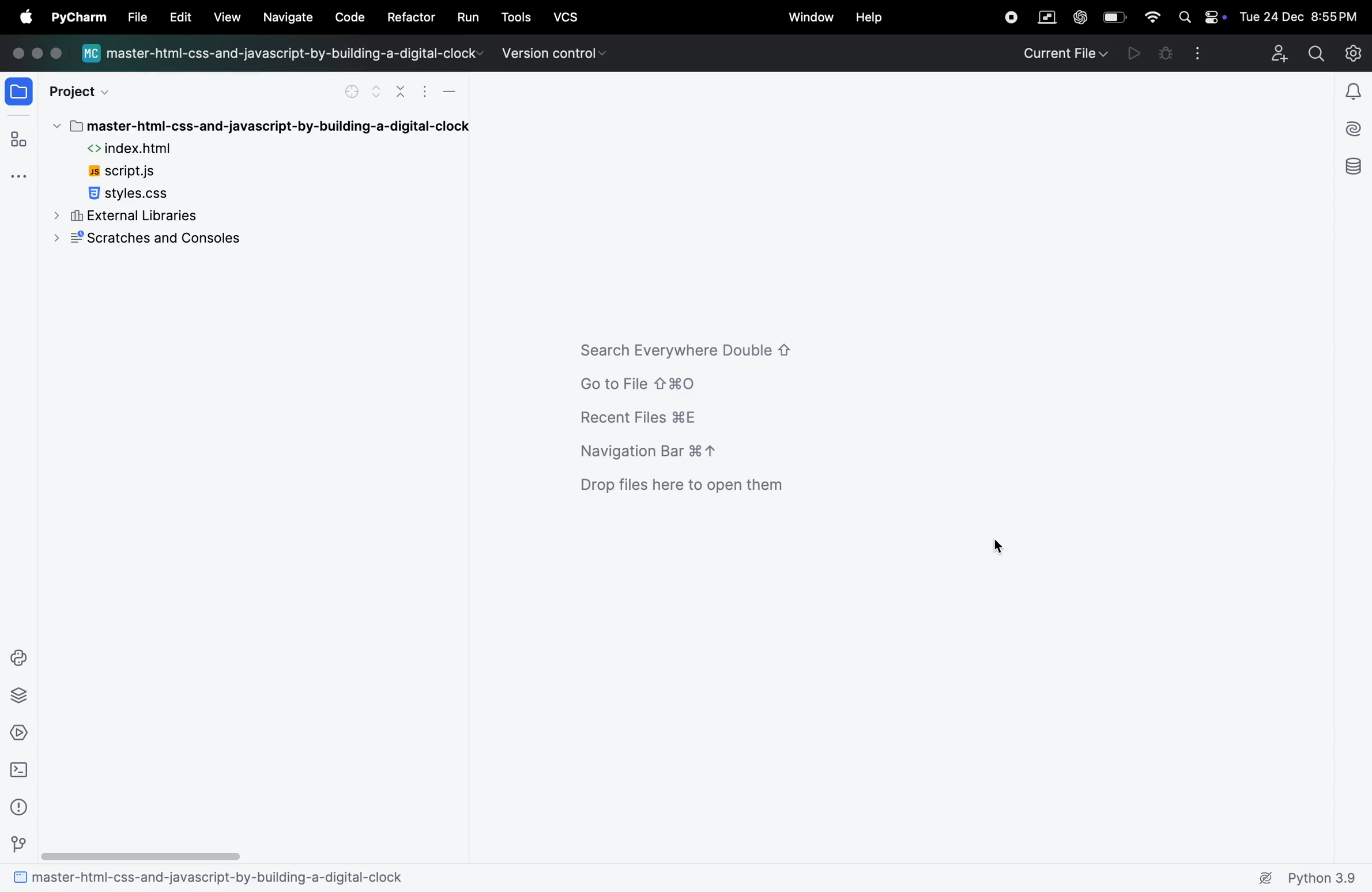 The width and height of the screenshot is (1372, 892). What do you see at coordinates (551, 52) in the screenshot?
I see `version control` at bounding box center [551, 52].